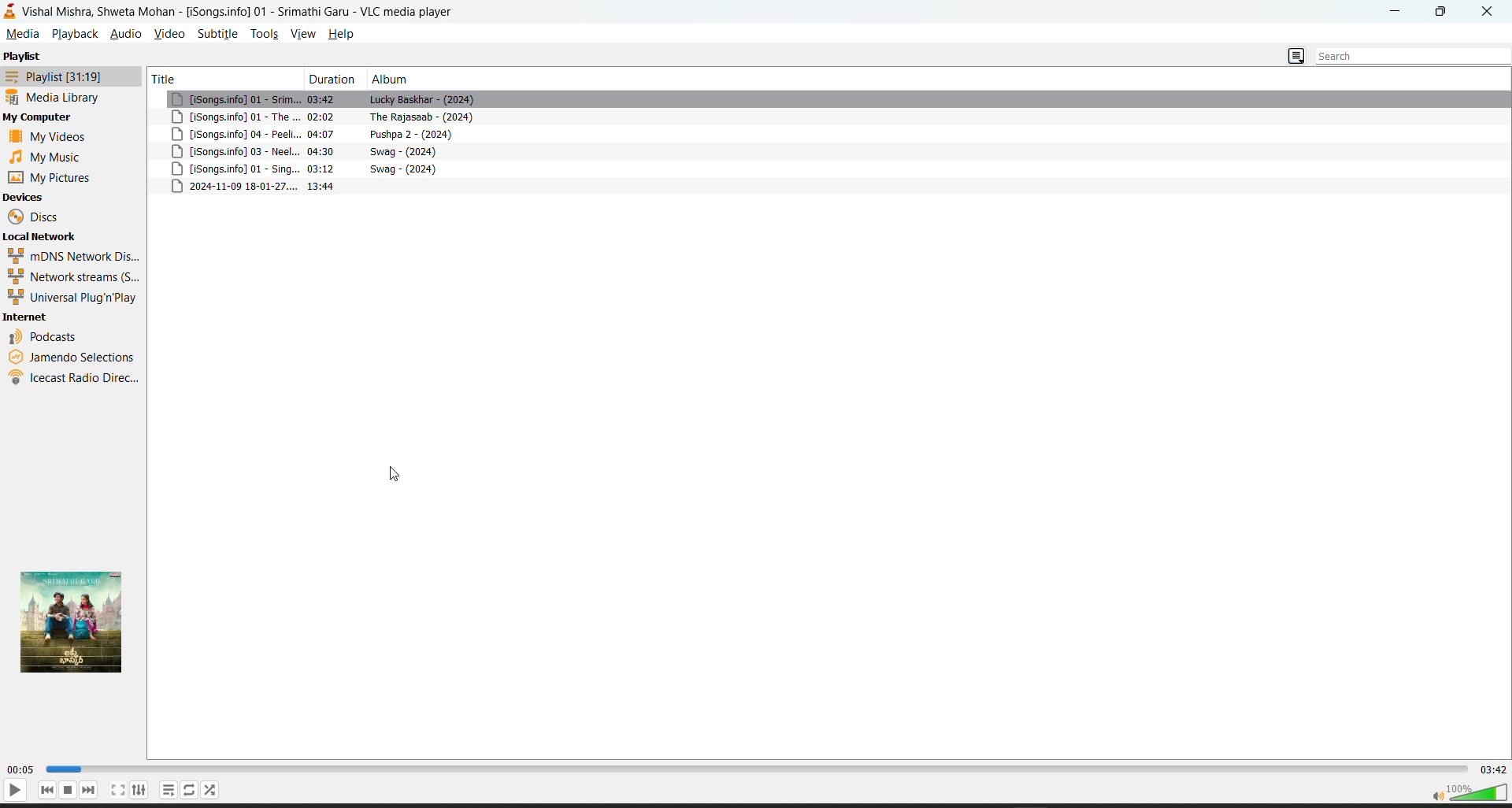 This screenshot has height=808, width=1512. Describe the element at coordinates (70, 256) in the screenshot. I see `mdns network` at that location.